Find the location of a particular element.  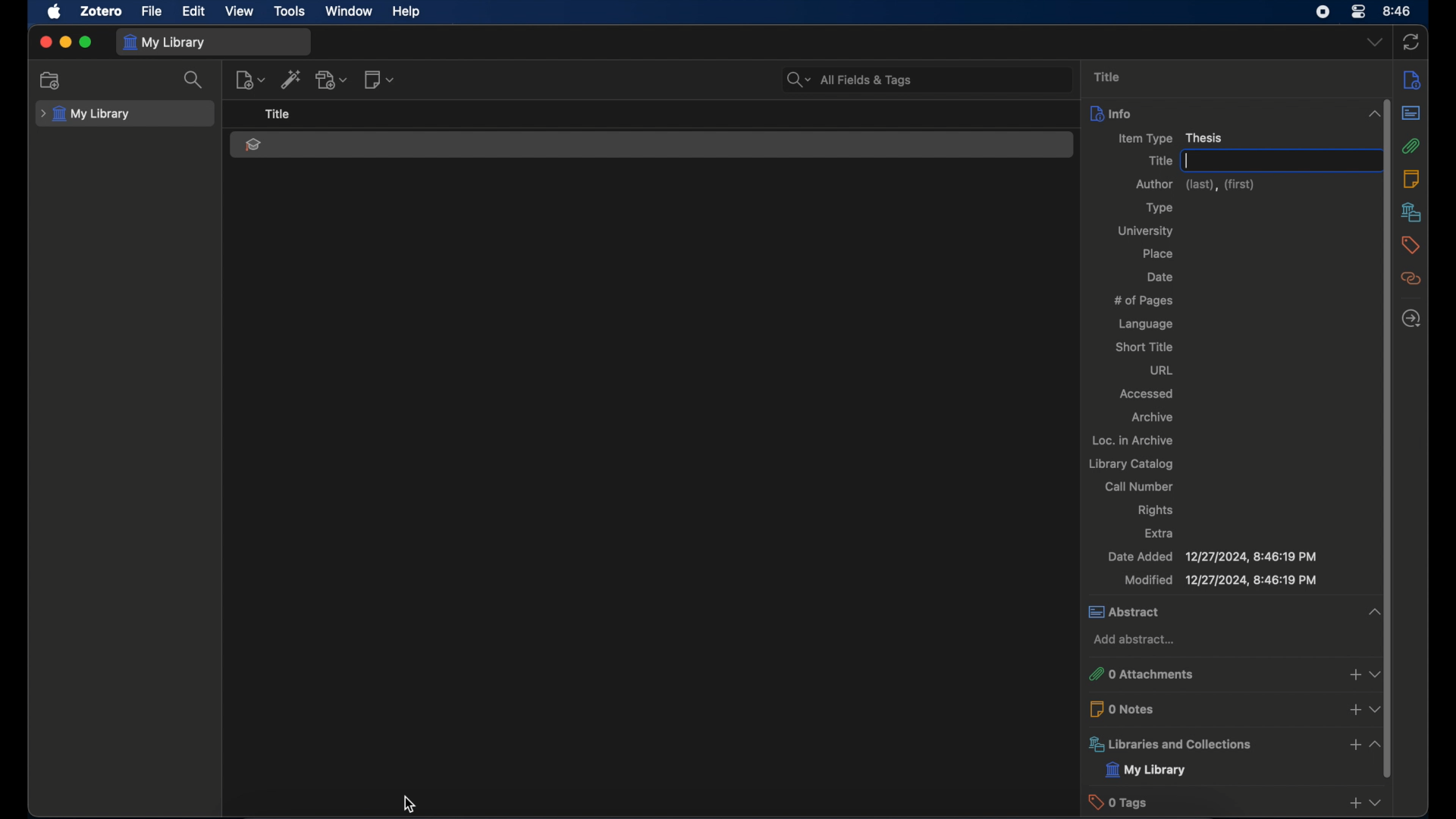

notes is located at coordinates (1414, 178).